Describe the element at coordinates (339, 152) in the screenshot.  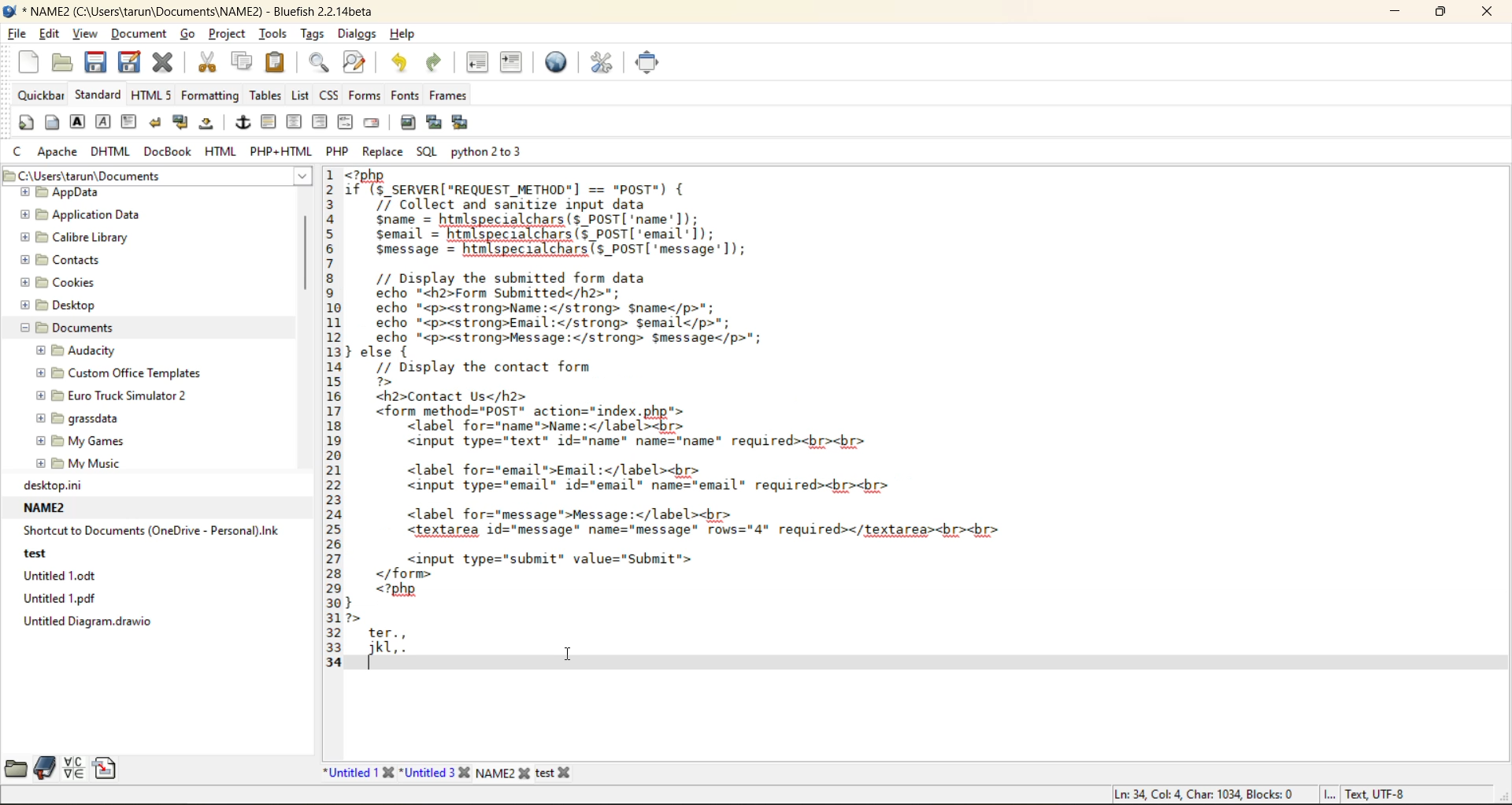
I see `php` at that location.